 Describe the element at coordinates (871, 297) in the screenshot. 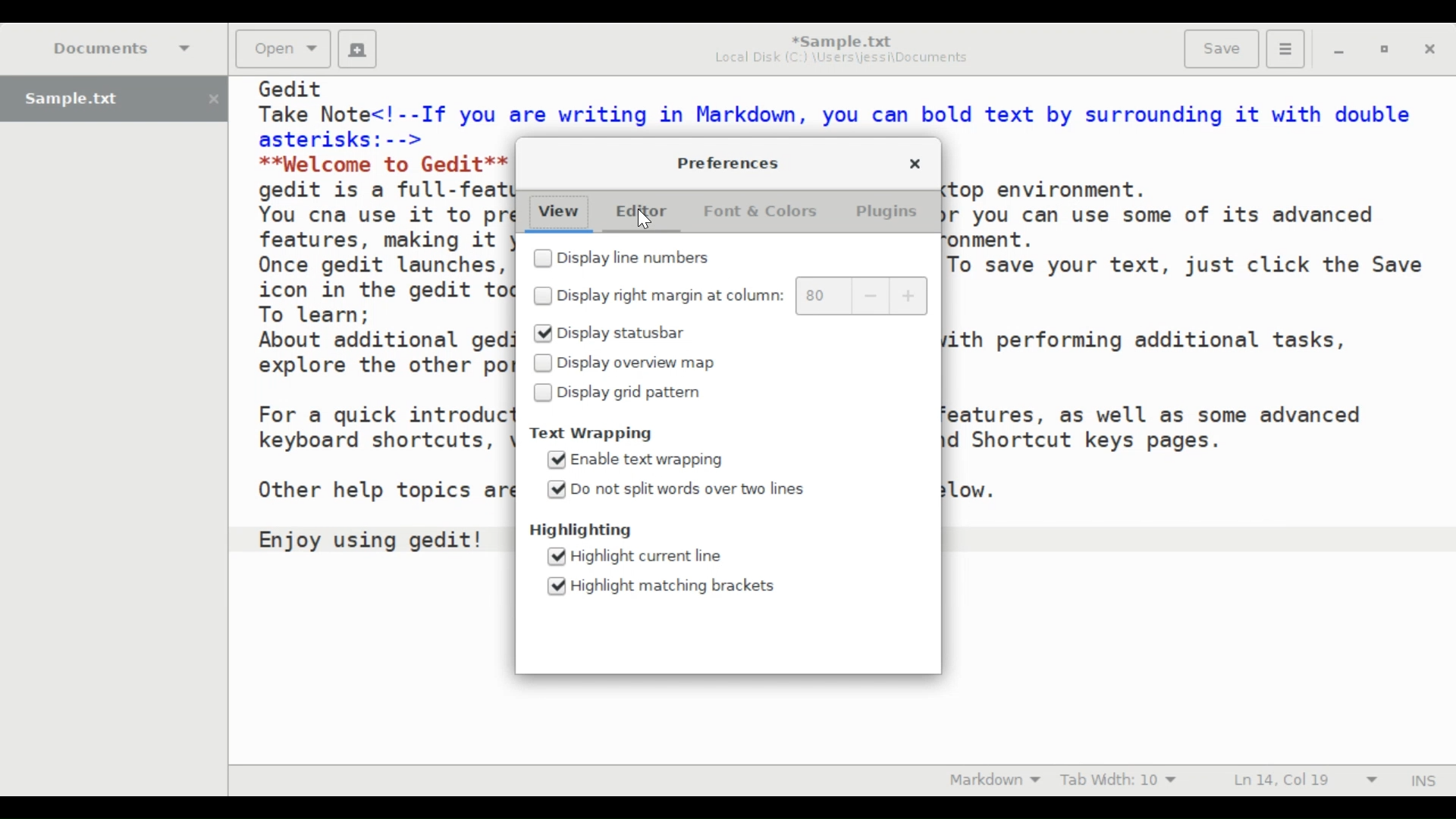

I see `decrease` at that location.